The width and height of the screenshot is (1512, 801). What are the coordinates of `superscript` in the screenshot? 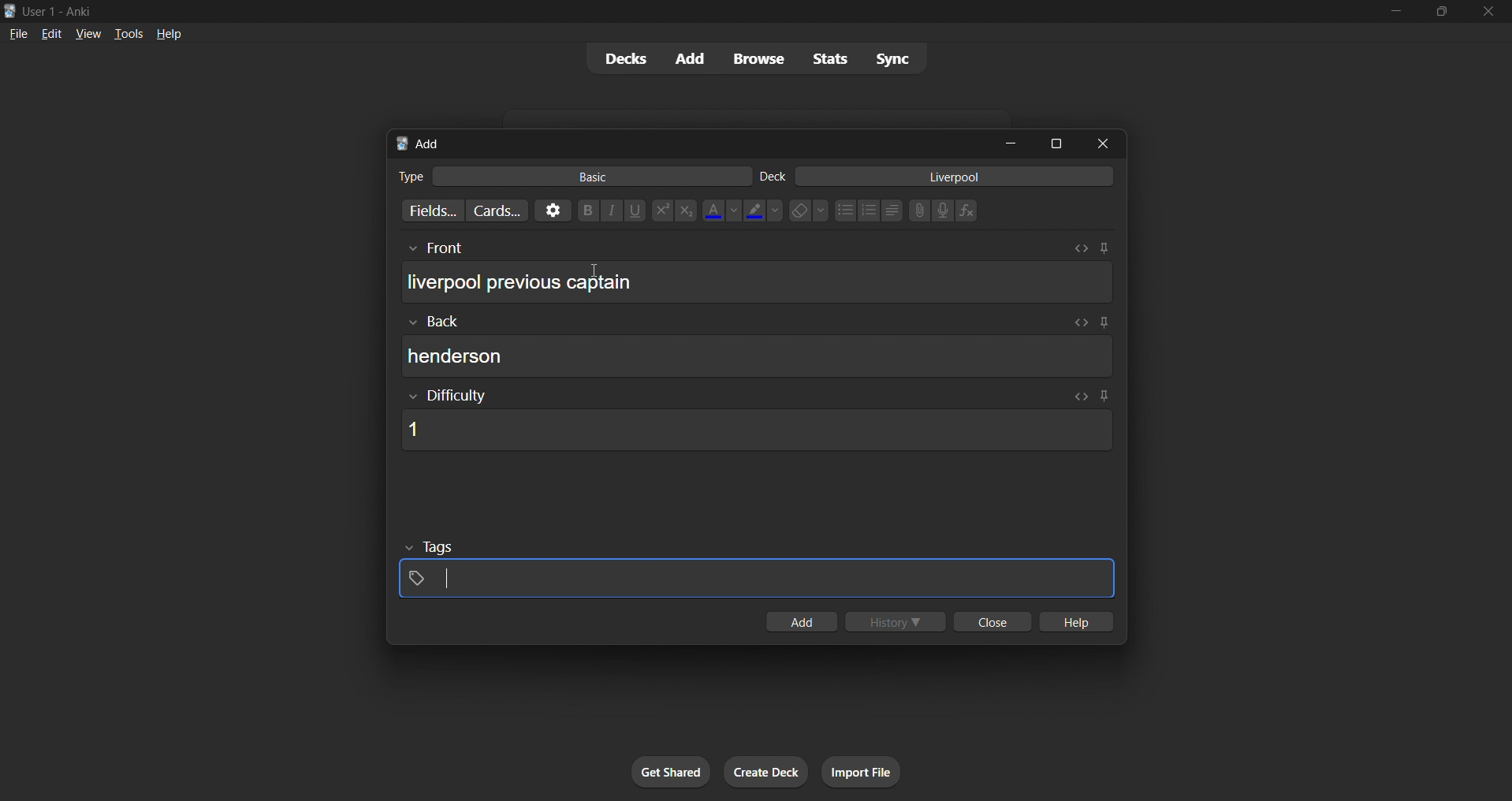 It's located at (661, 211).